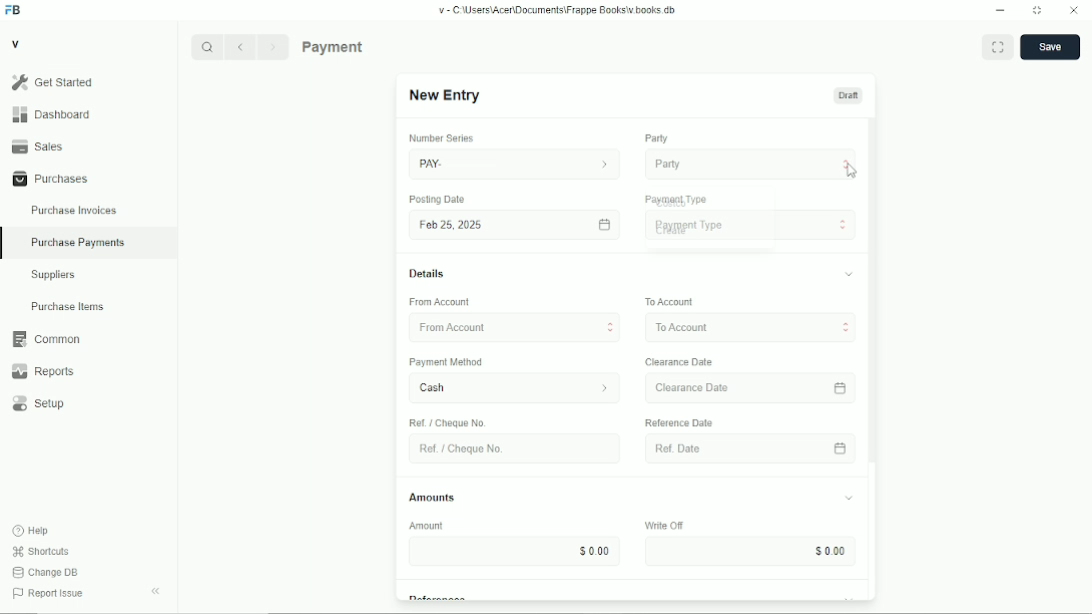 The image size is (1092, 614). Describe the element at coordinates (659, 524) in the screenshot. I see `Write OF` at that location.